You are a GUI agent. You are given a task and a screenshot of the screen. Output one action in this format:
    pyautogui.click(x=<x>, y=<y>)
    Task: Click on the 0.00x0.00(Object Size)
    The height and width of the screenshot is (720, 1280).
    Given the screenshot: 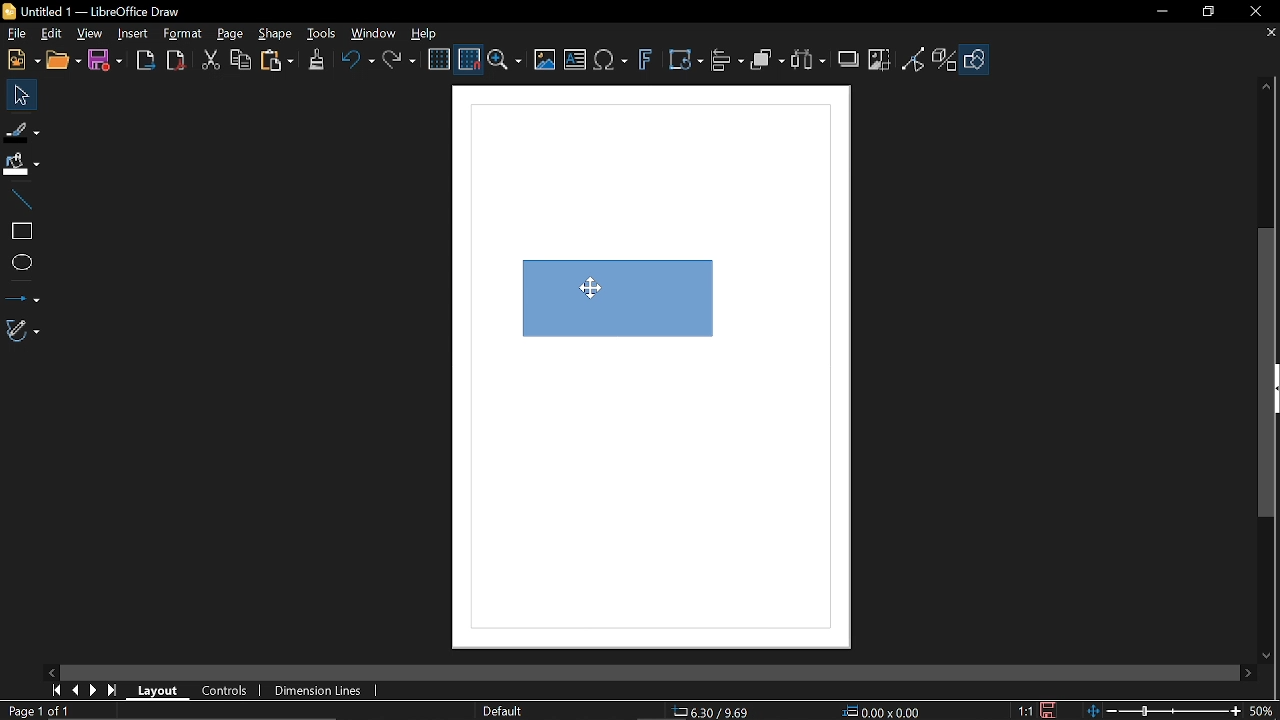 What is the action you would take?
    pyautogui.click(x=881, y=713)
    